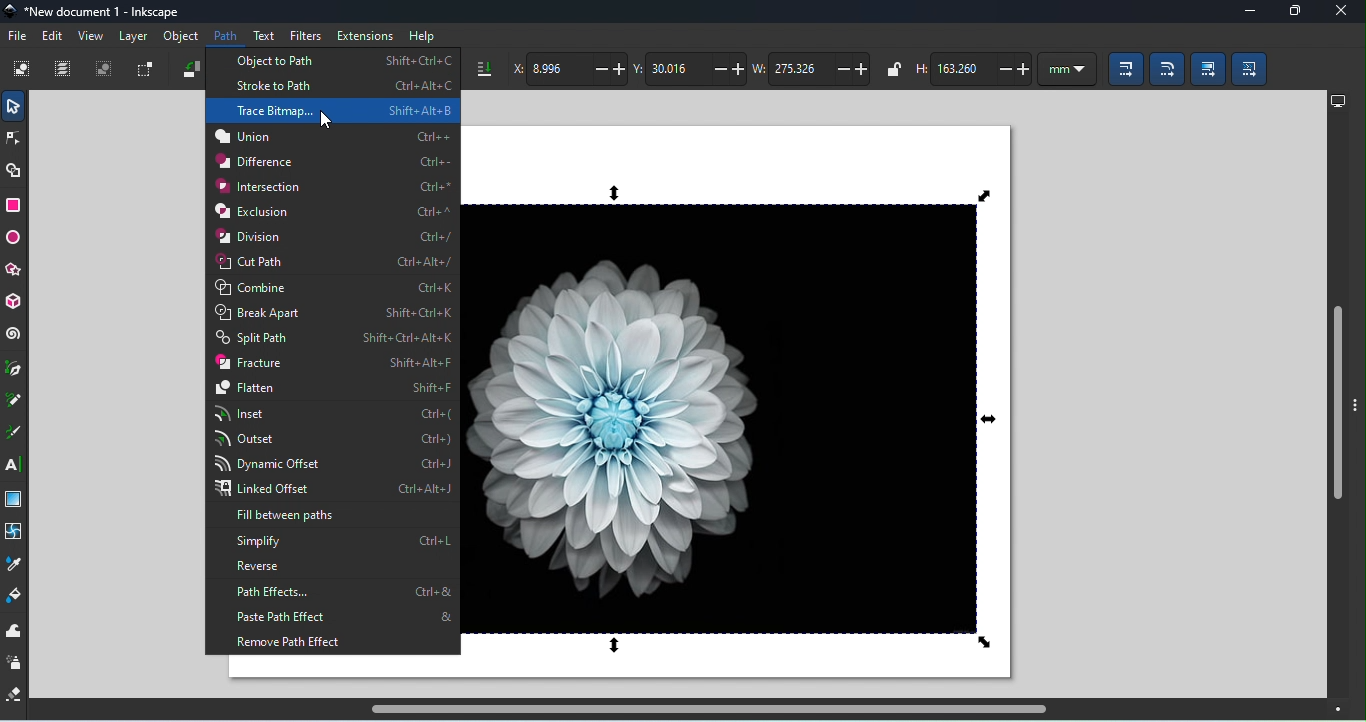 The width and height of the screenshot is (1366, 722). What do you see at coordinates (366, 34) in the screenshot?
I see `Extensions` at bounding box center [366, 34].